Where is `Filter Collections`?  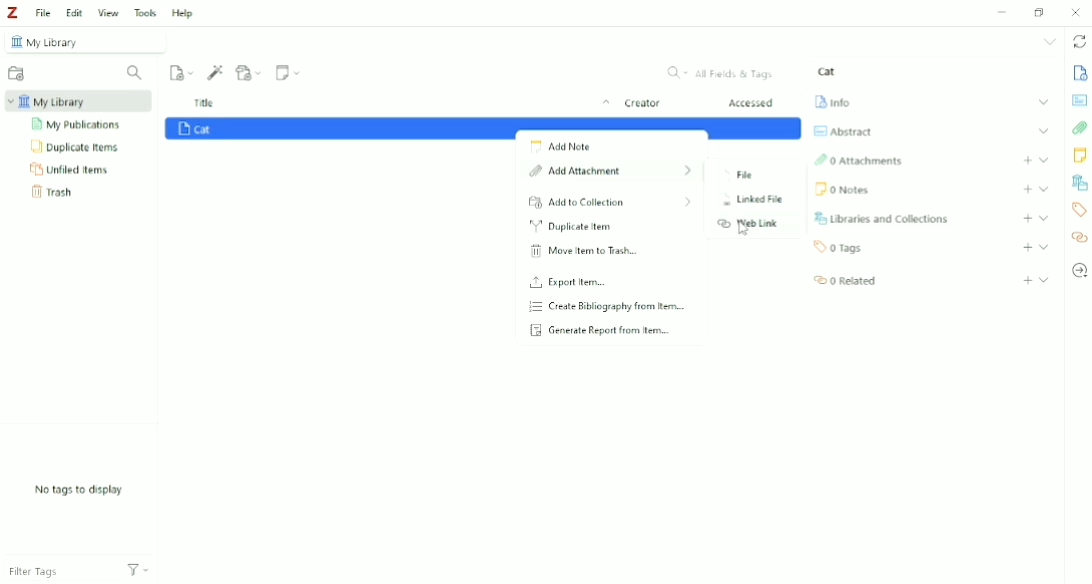 Filter Collections is located at coordinates (135, 73).